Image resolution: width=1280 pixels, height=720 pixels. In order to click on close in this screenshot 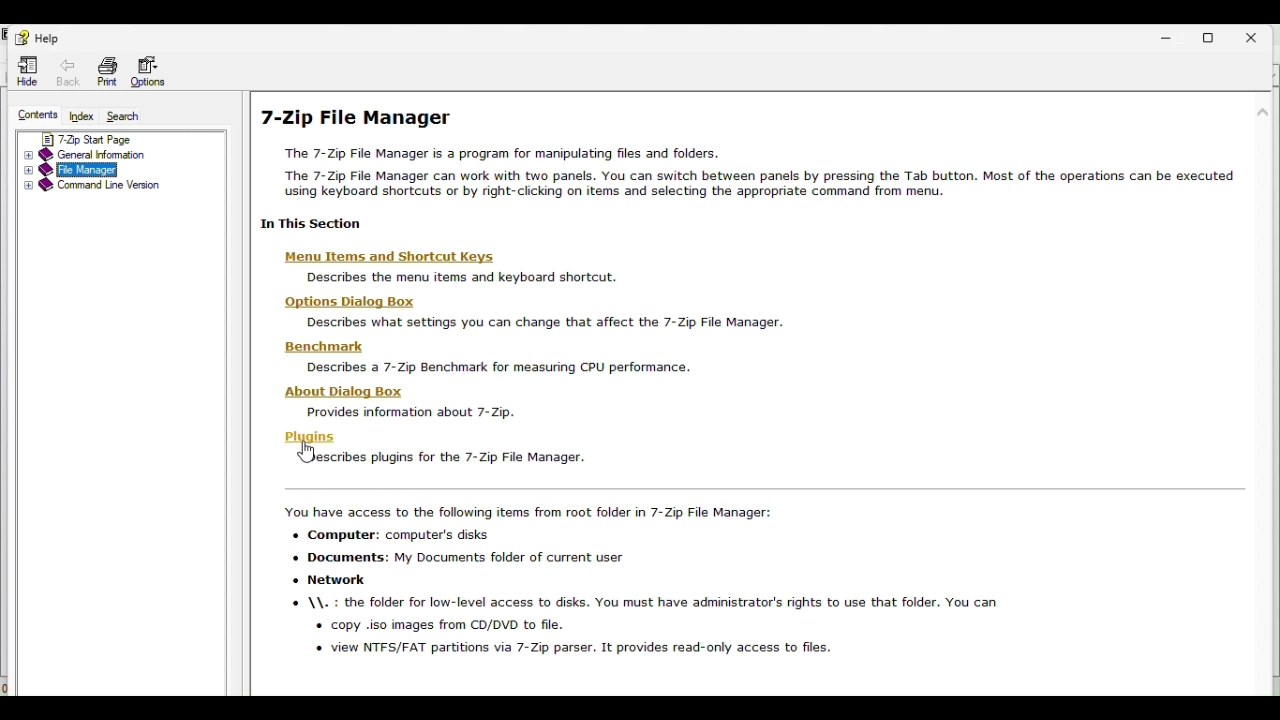, I will do `click(1258, 33)`.